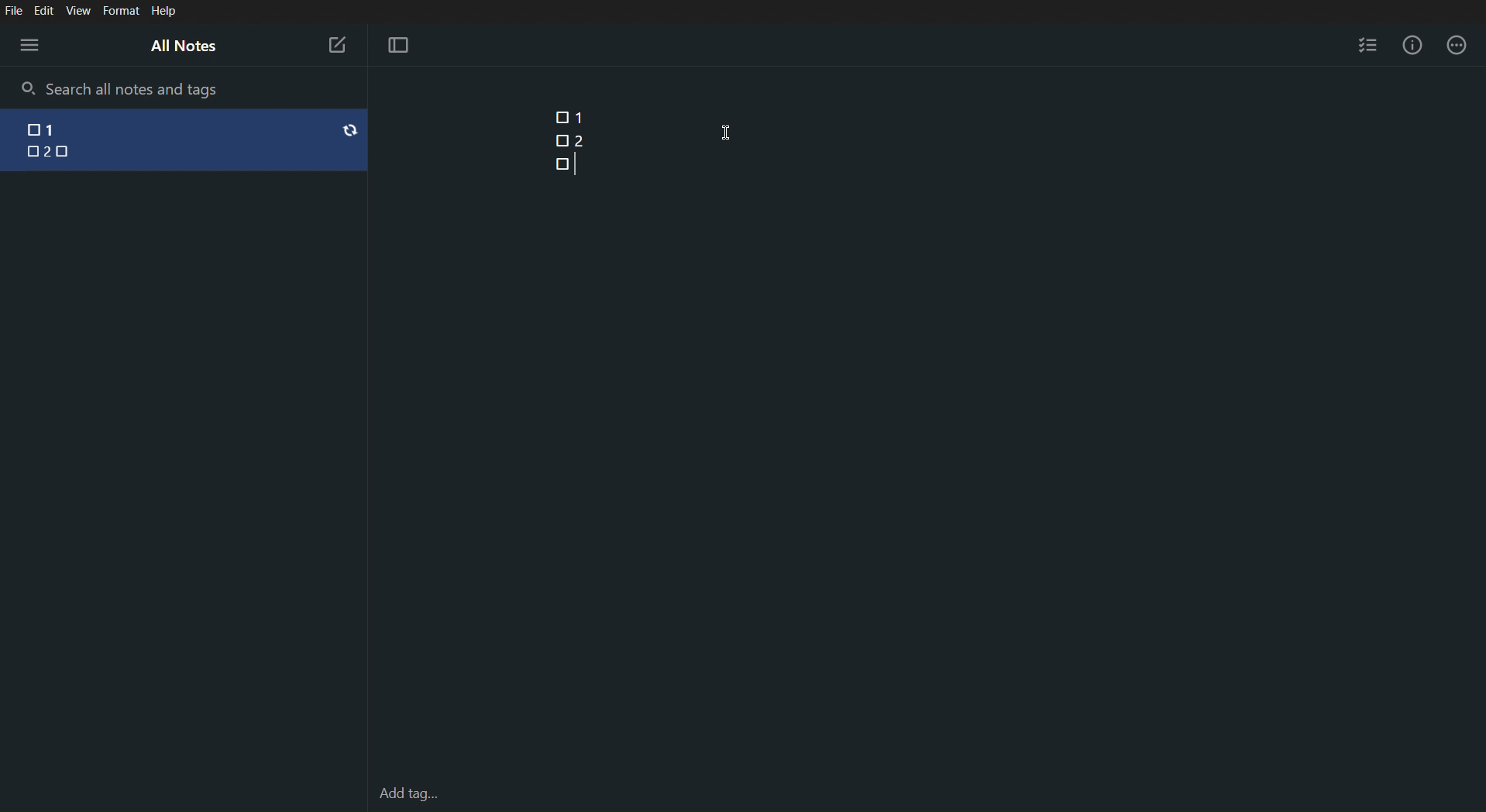 The image size is (1486, 812). What do you see at coordinates (120, 12) in the screenshot?
I see `Format` at bounding box center [120, 12].